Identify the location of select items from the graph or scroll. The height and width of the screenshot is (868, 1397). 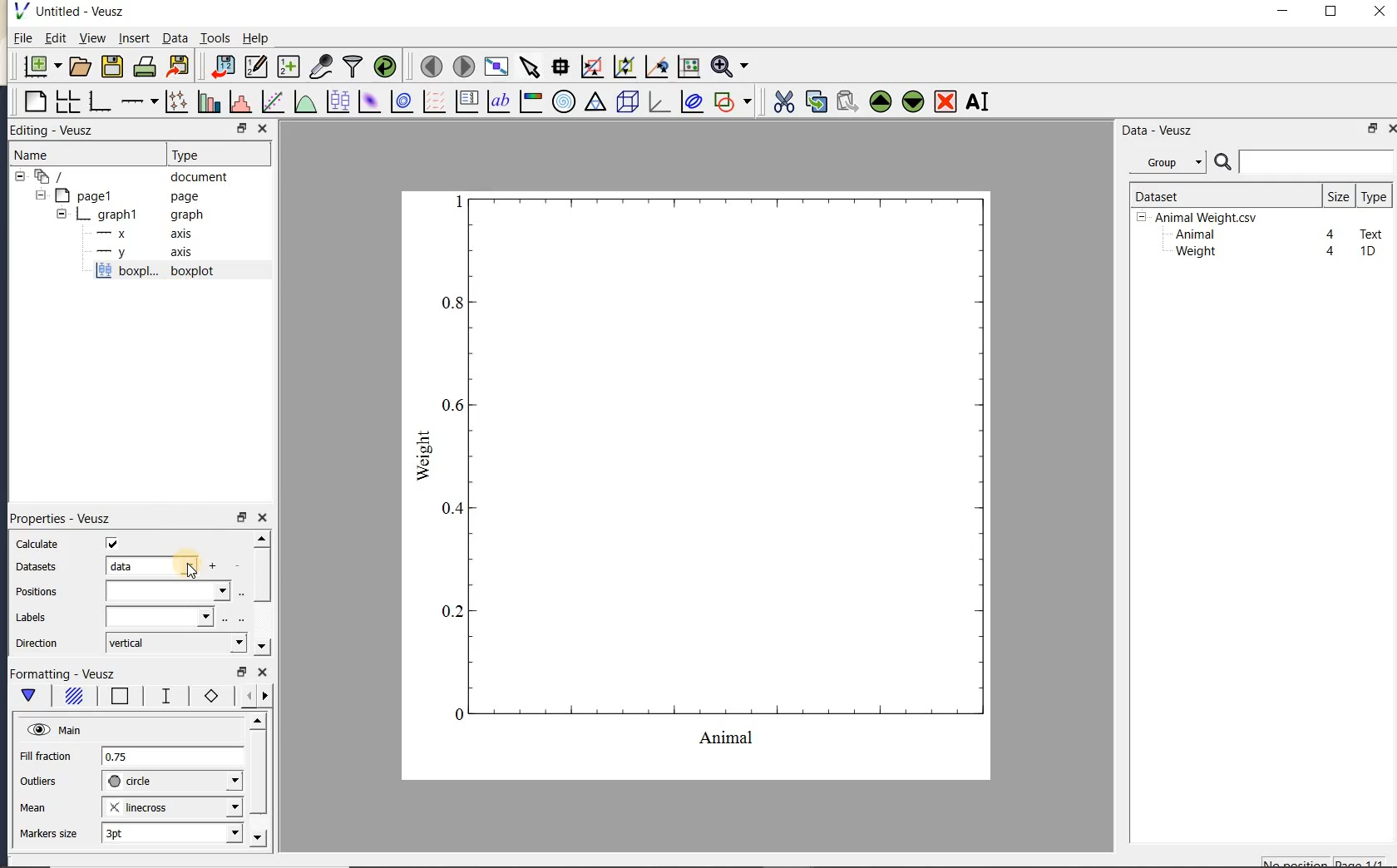
(531, 67).